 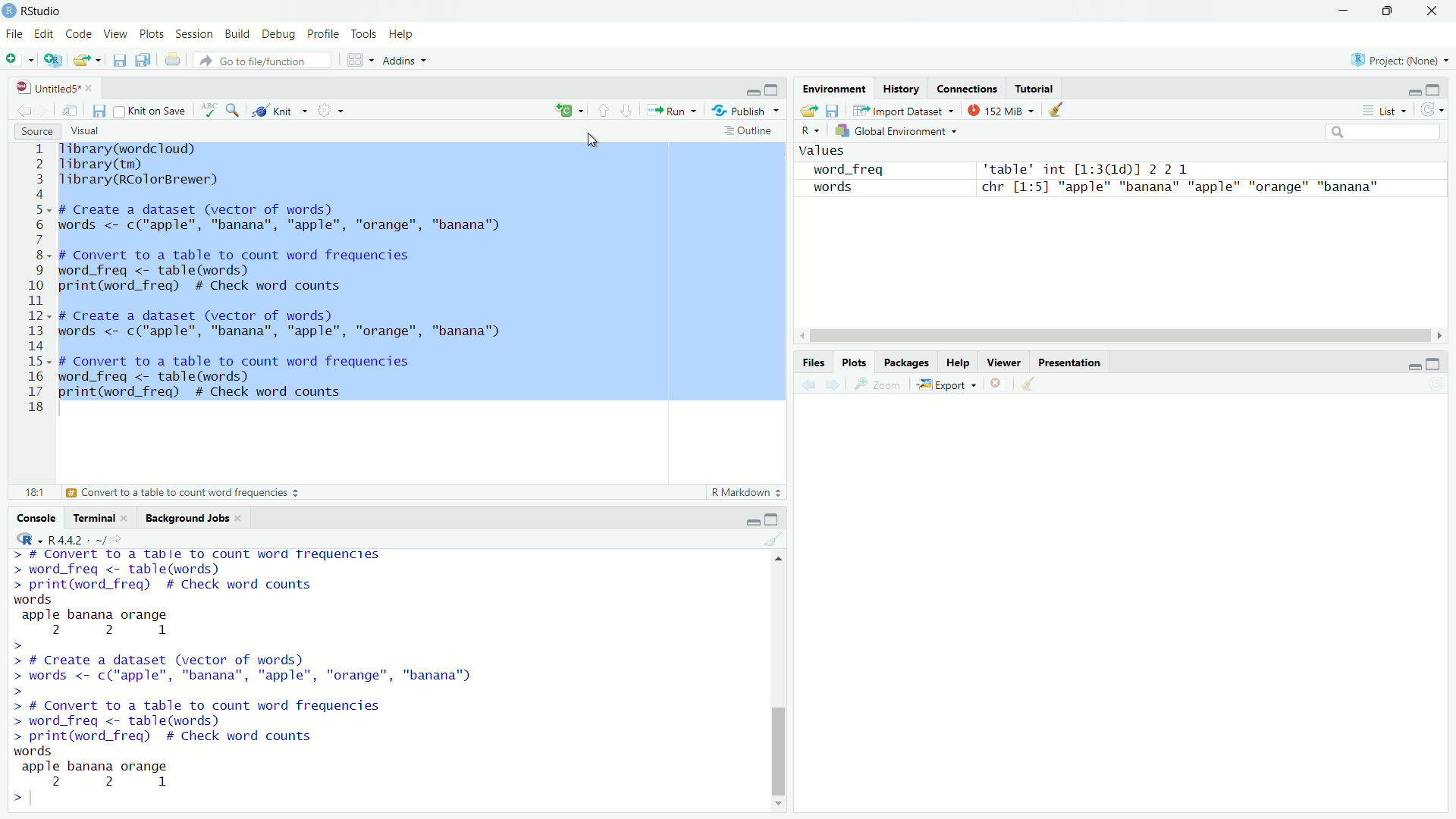 What do you see at coordinates (629, 111) in the screenshot?
I see `Go to the next section/chunk` at bounding box center [629, 111].